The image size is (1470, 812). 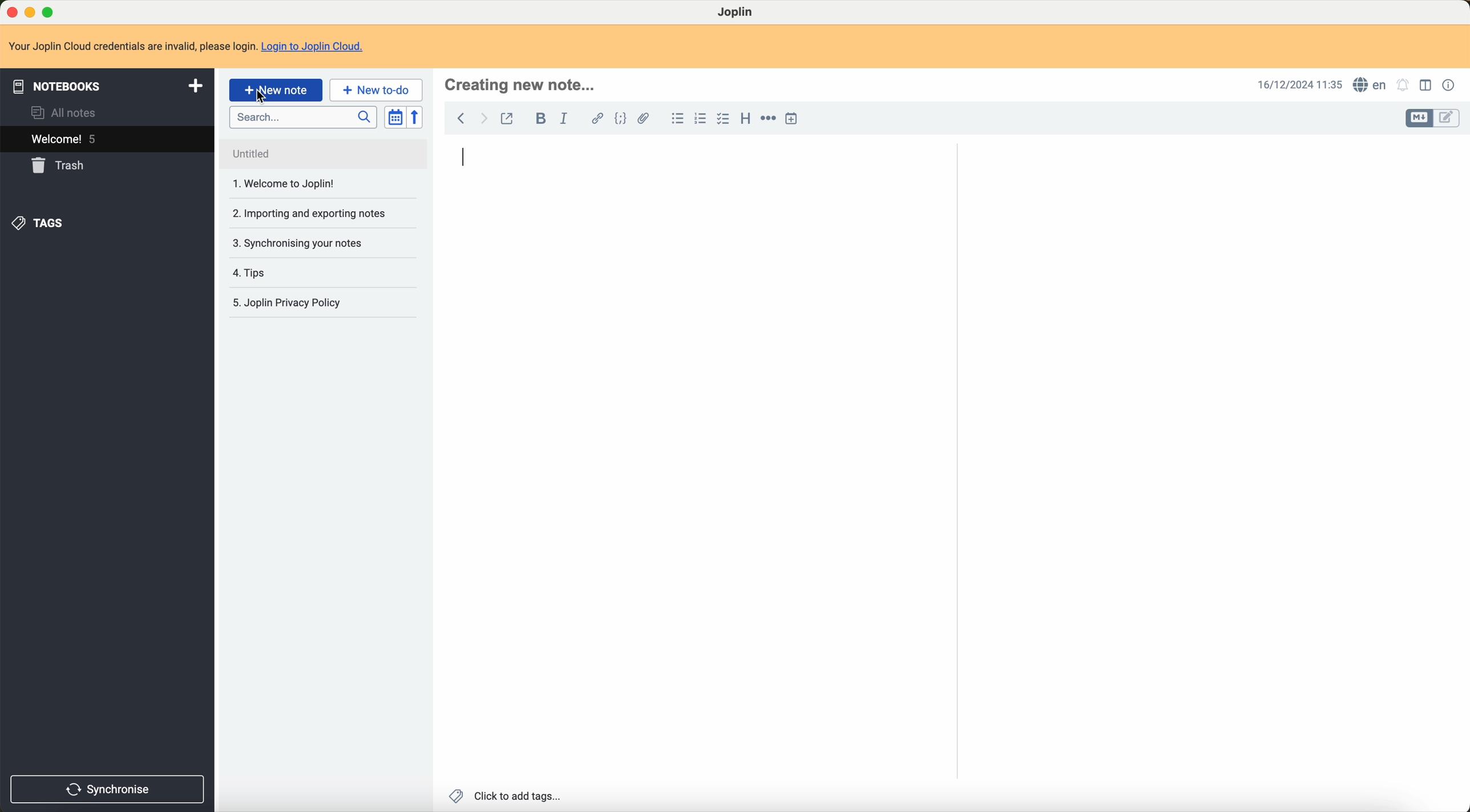 I want to click on new note, so click(x=276, y=90).